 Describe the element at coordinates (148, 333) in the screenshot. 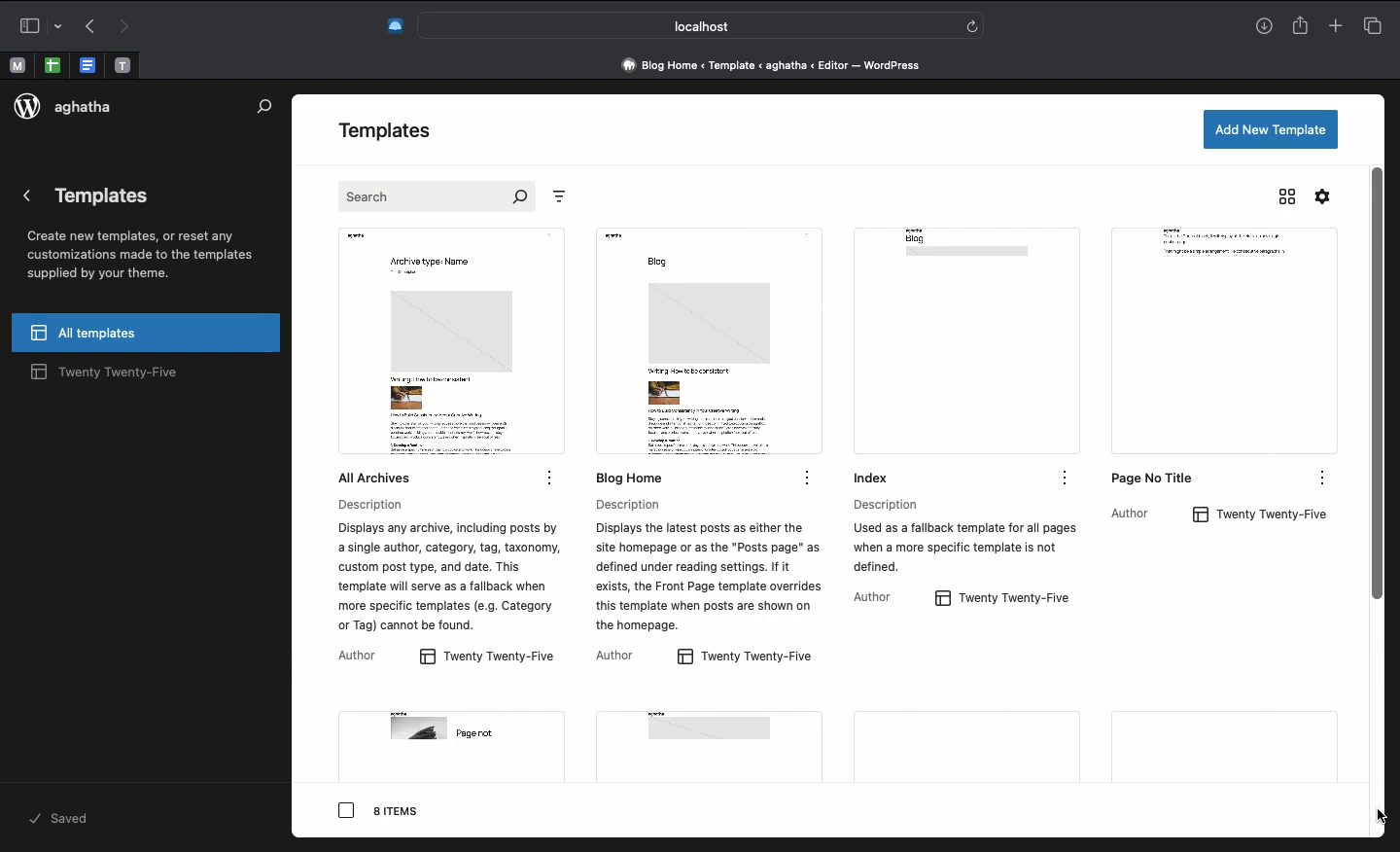

I see `All templates` at that location.